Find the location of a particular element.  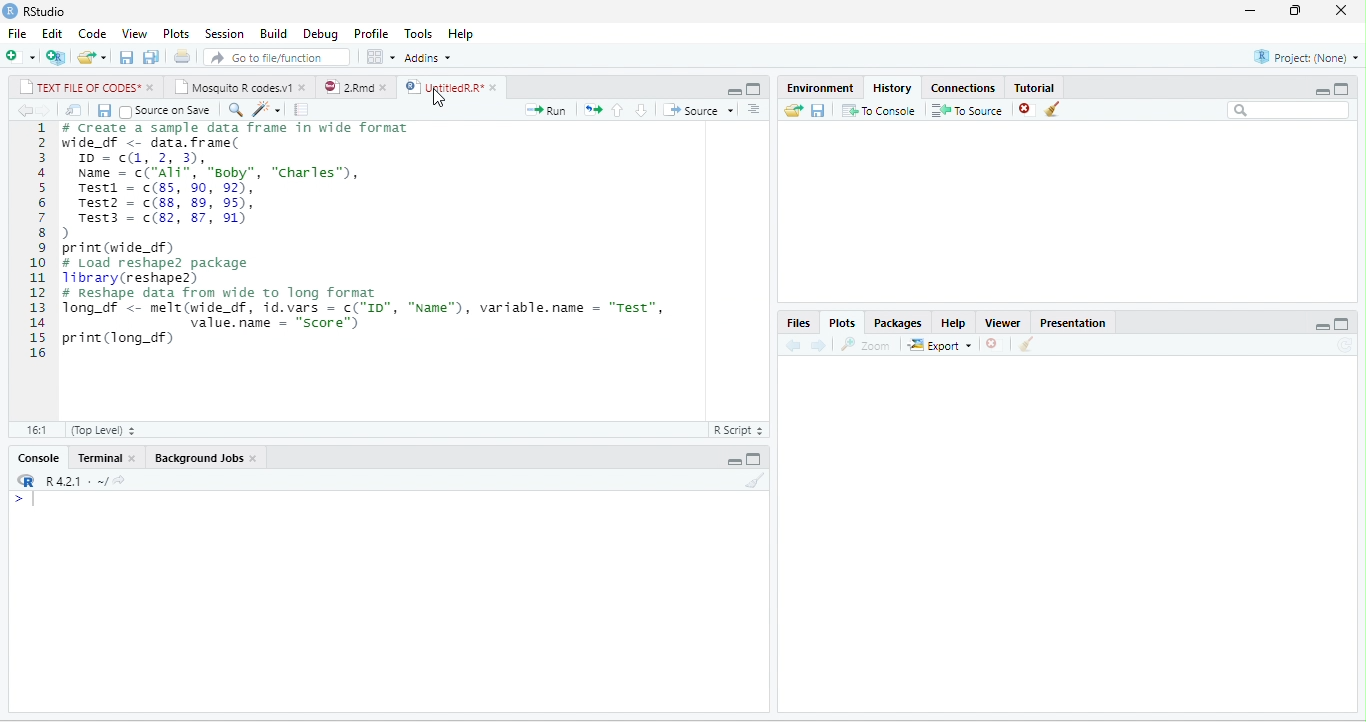

print is located at coordinates (183, 57).